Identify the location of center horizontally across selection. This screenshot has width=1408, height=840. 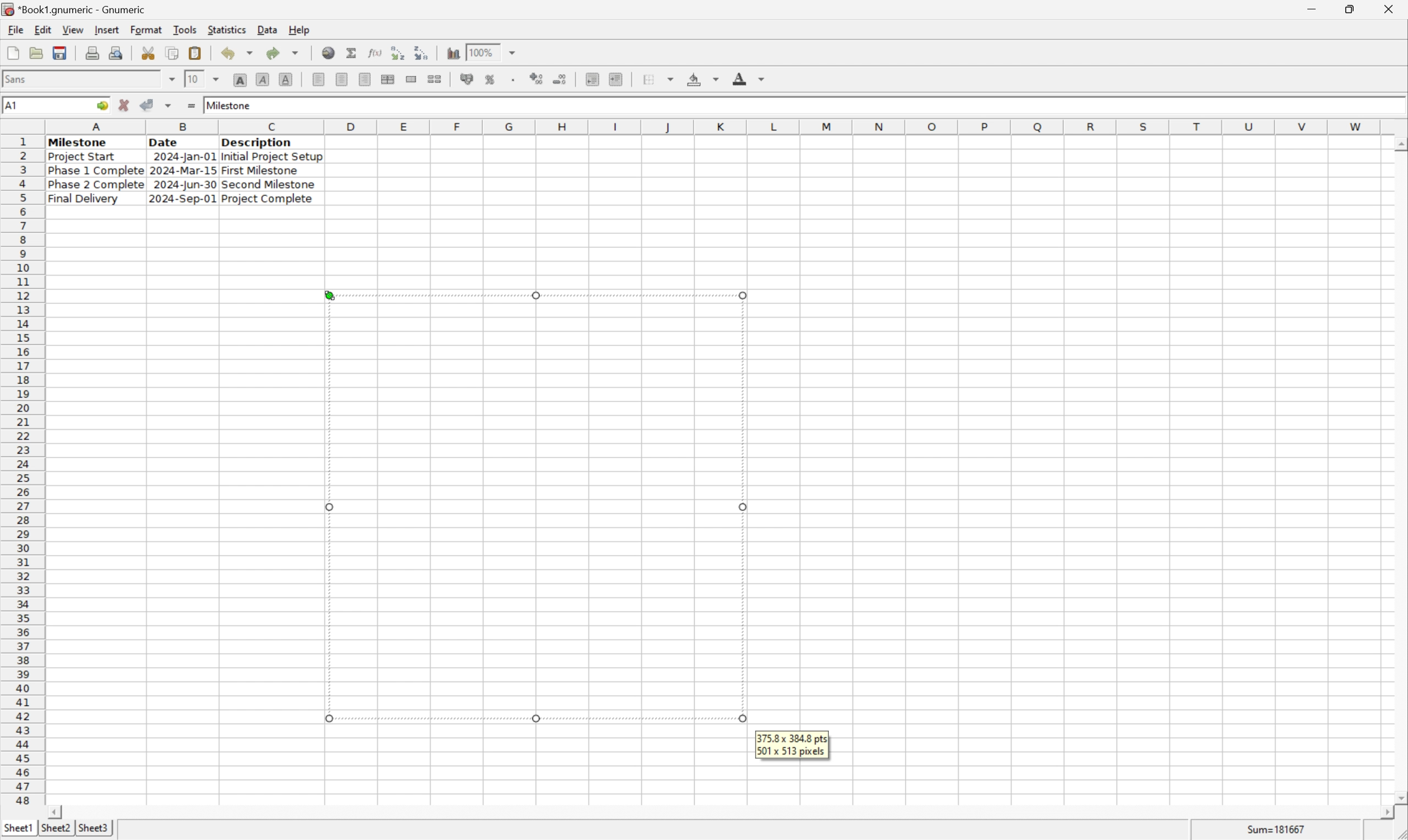
(388, 79).